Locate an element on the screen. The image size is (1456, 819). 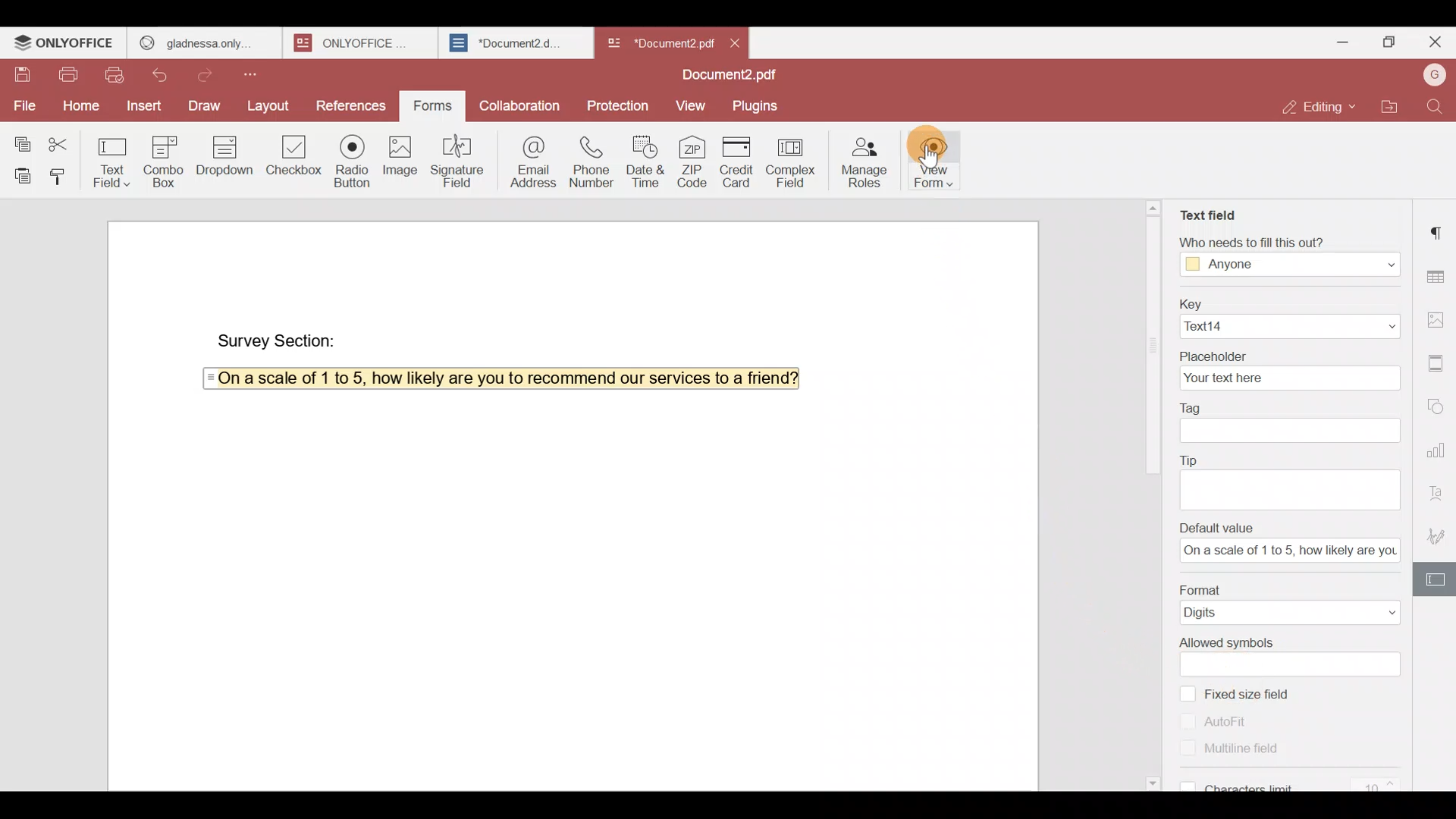
Paragraph settings is located at coordinates (1439, 227).